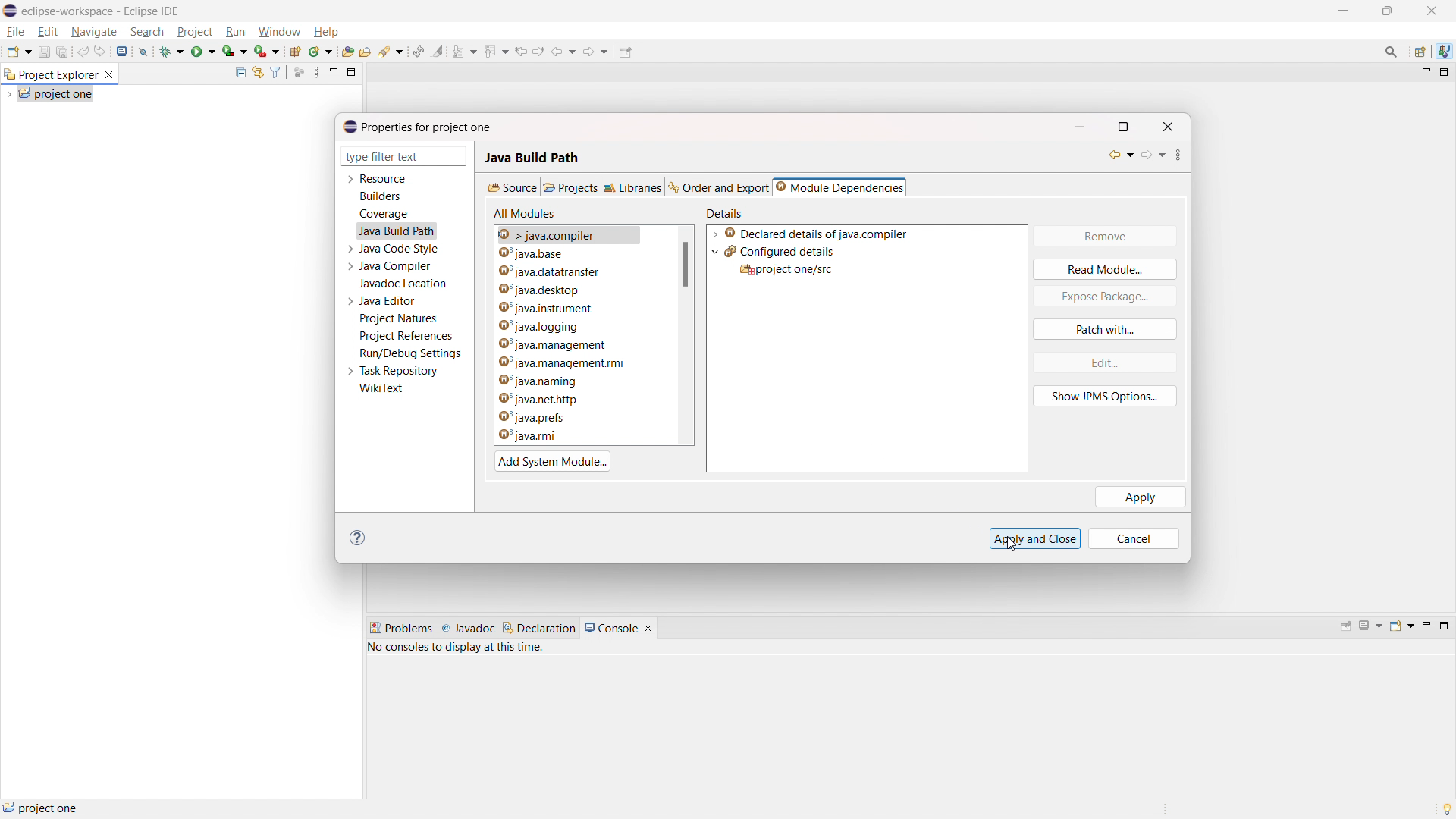 The image size is (1456, 819). I want to click on problems, so click(400, 629).